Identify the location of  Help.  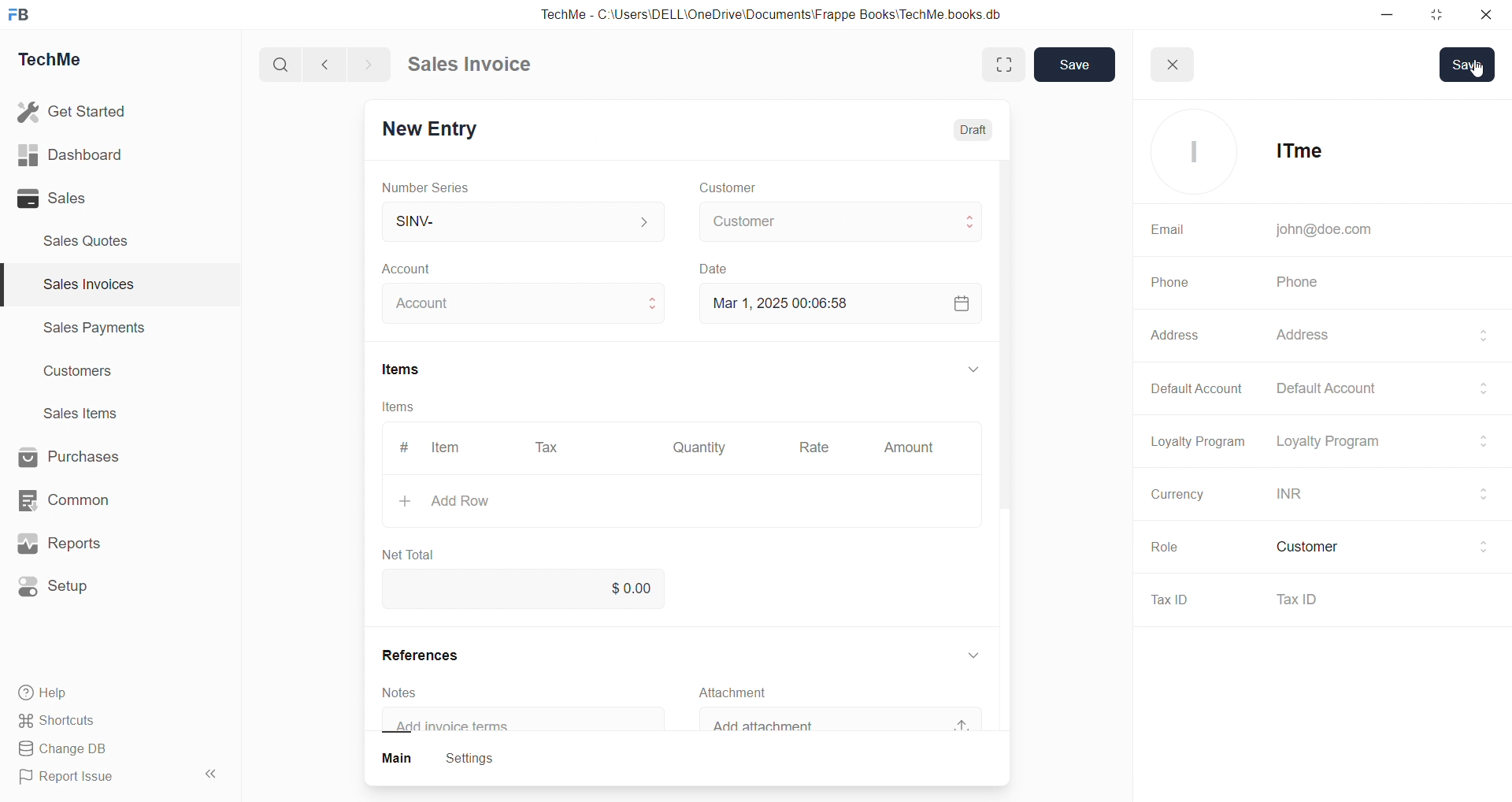
(51, 695).